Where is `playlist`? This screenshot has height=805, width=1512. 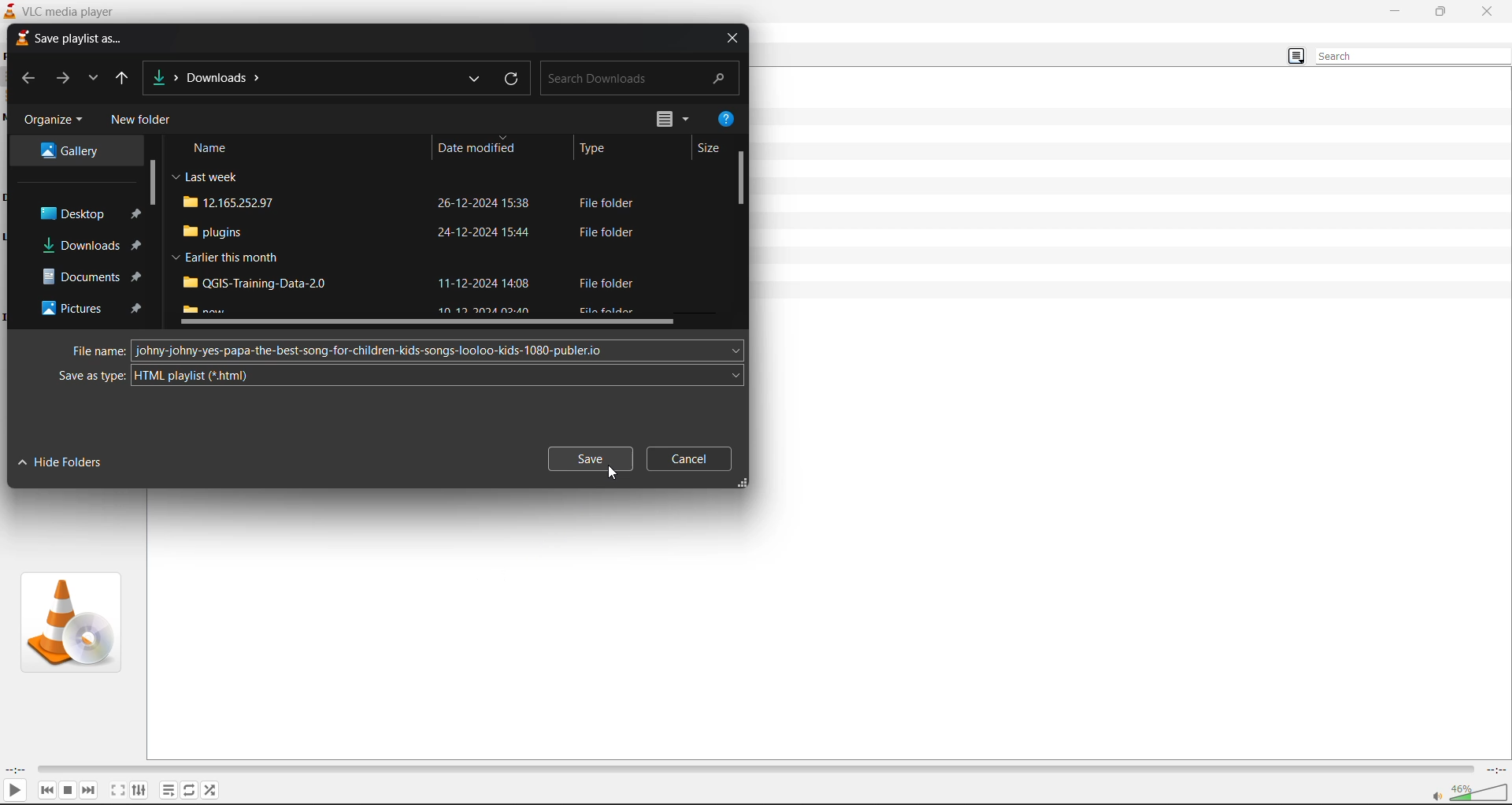
playlist is located at coordinates (169, 791).